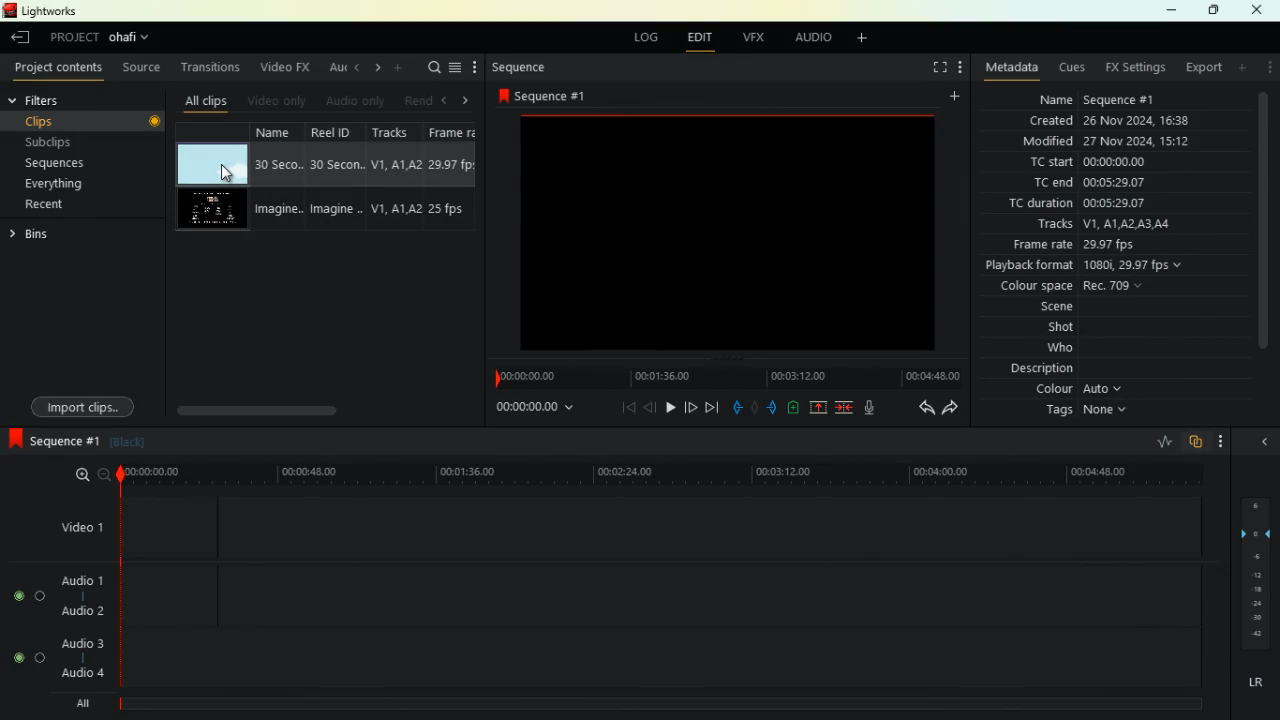  Describe the element at coordinates (21, 36) in the screenshot. I see `leave` at that location.